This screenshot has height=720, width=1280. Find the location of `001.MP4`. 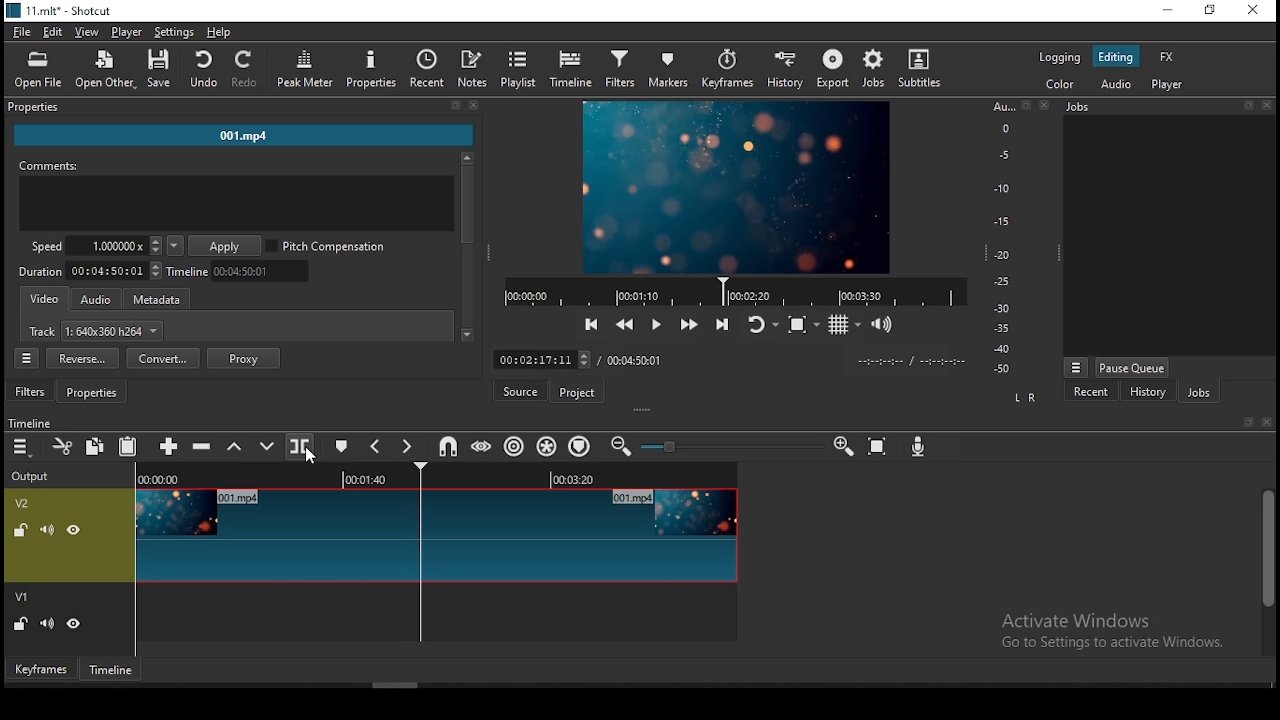

001.MP4 is located at coordinates (245, 138).